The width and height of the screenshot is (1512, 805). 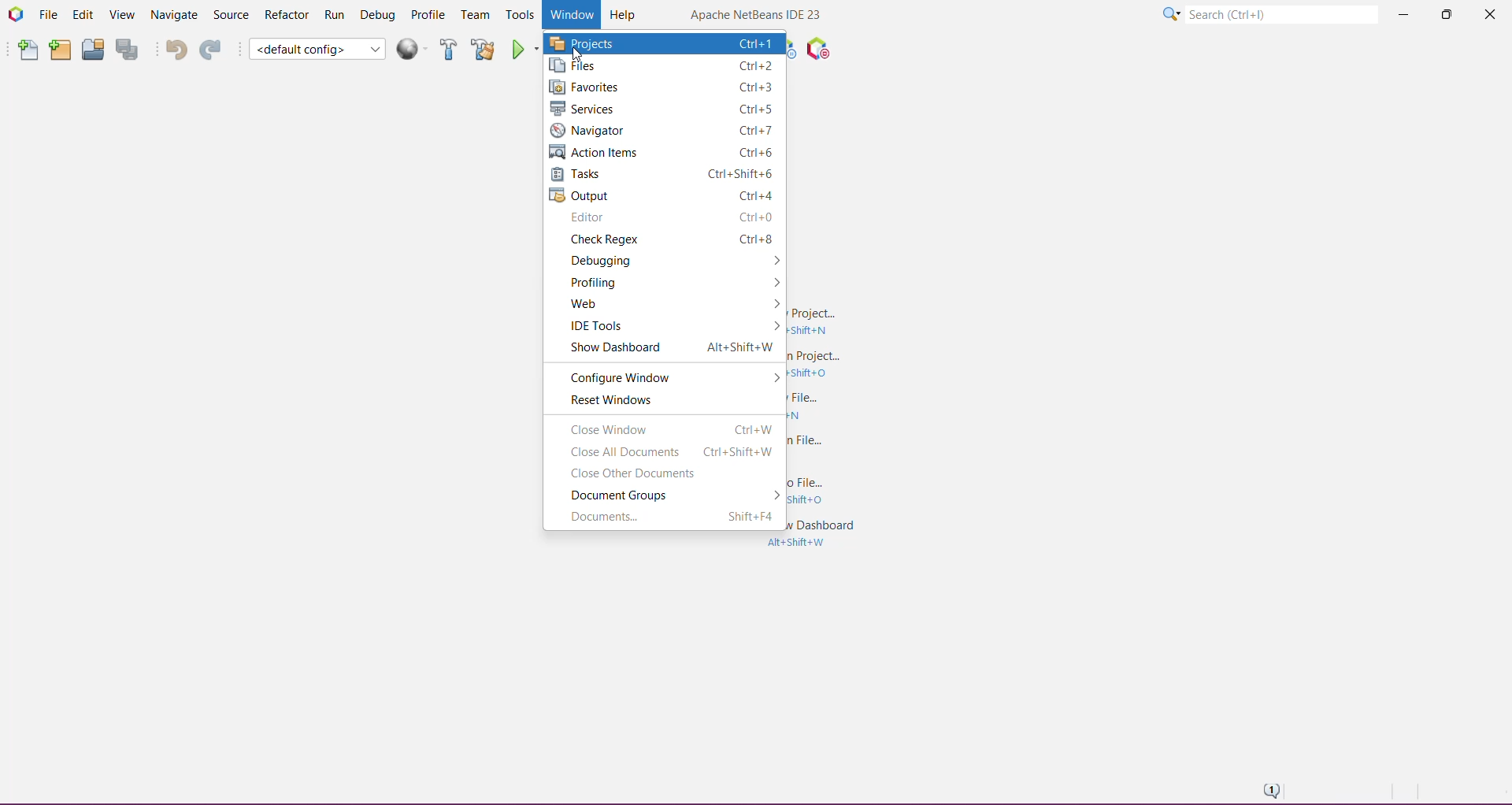 What do you see at coordinates (668, 452) in the screenshot?
I see `Close All Documents` at bounding box center [668, 452].